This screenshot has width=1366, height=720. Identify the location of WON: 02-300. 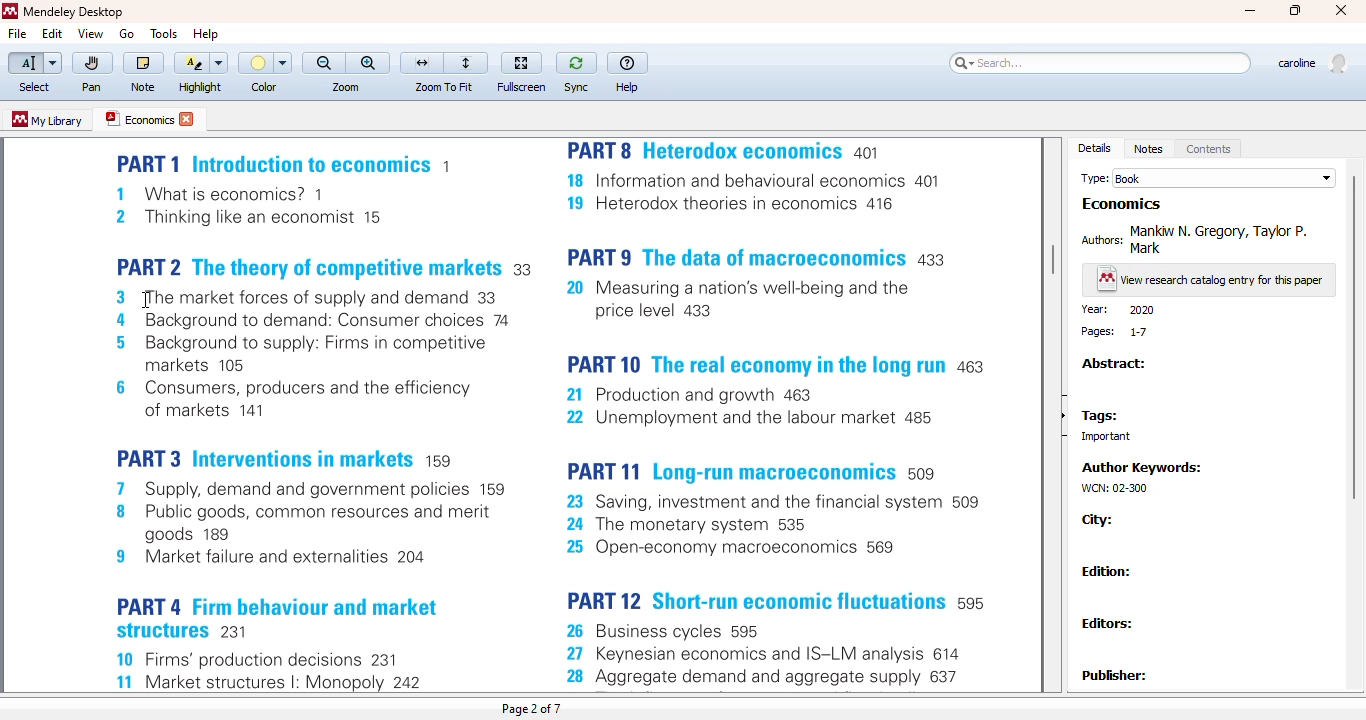
(1114, 486).